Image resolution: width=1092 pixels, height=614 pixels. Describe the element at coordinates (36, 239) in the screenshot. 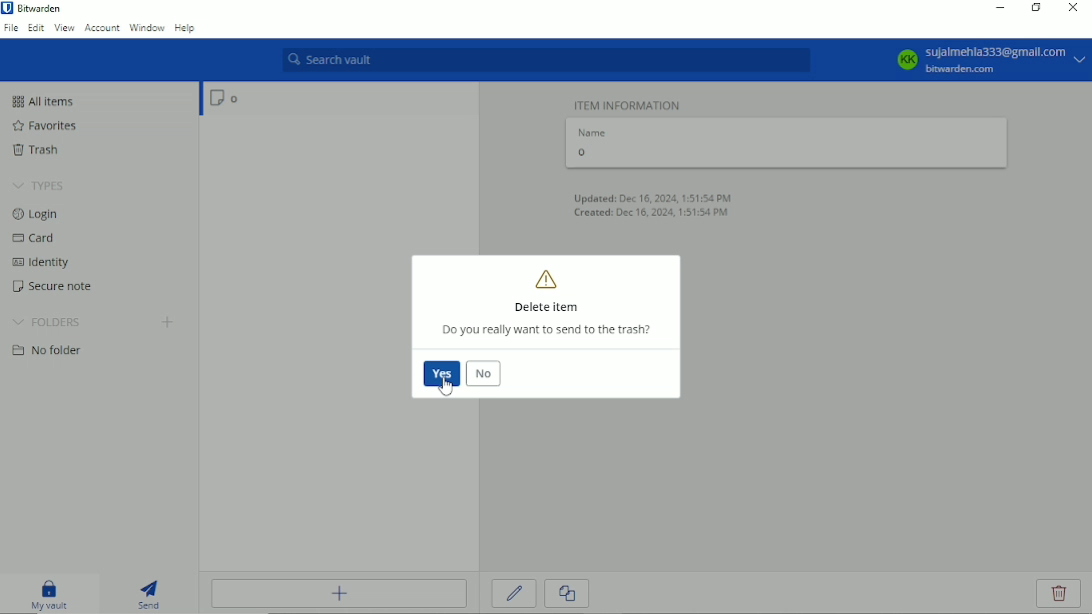

I see `Card` at that location.